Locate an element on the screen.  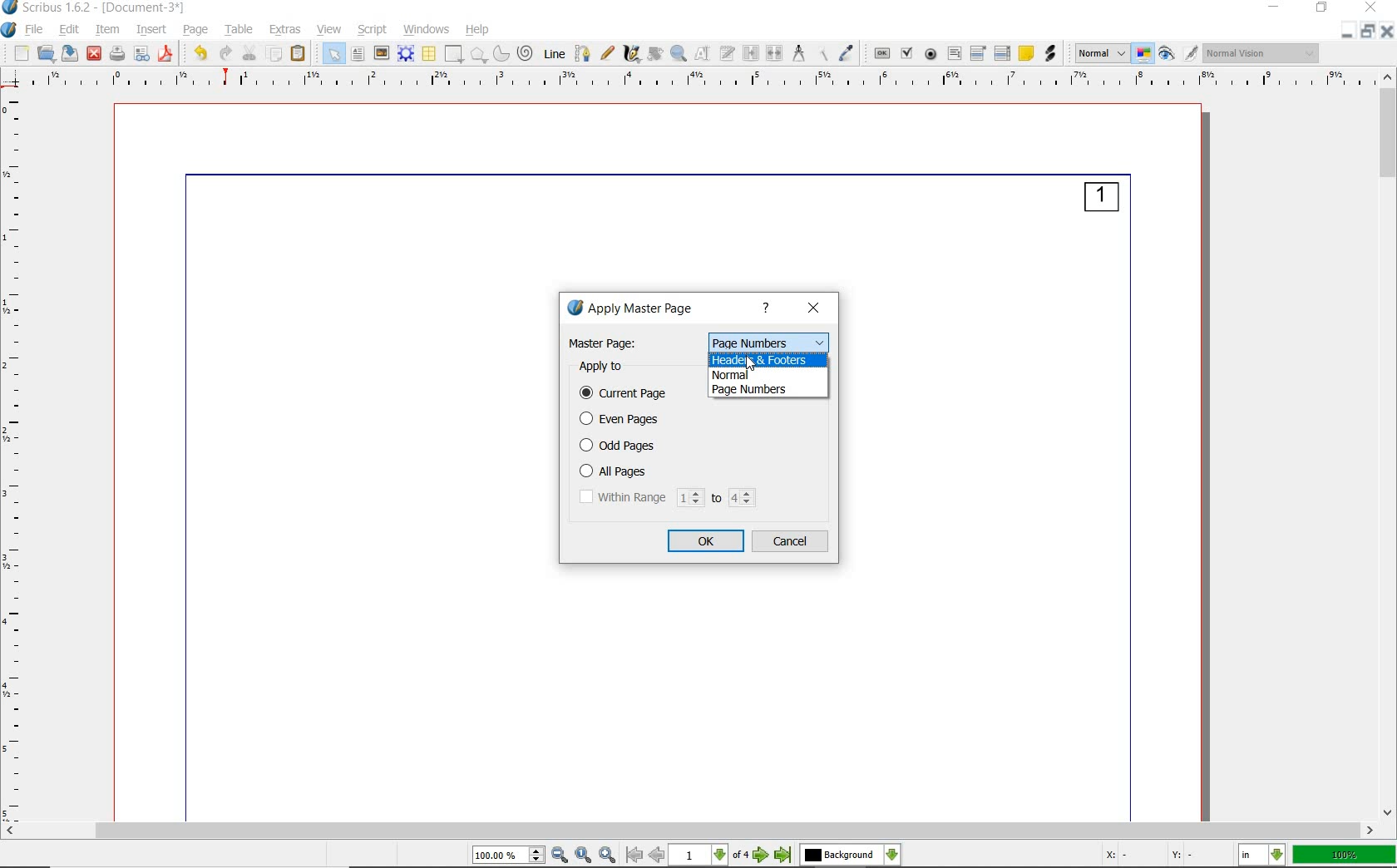
eye dropper is located at coordinates (848, 54).